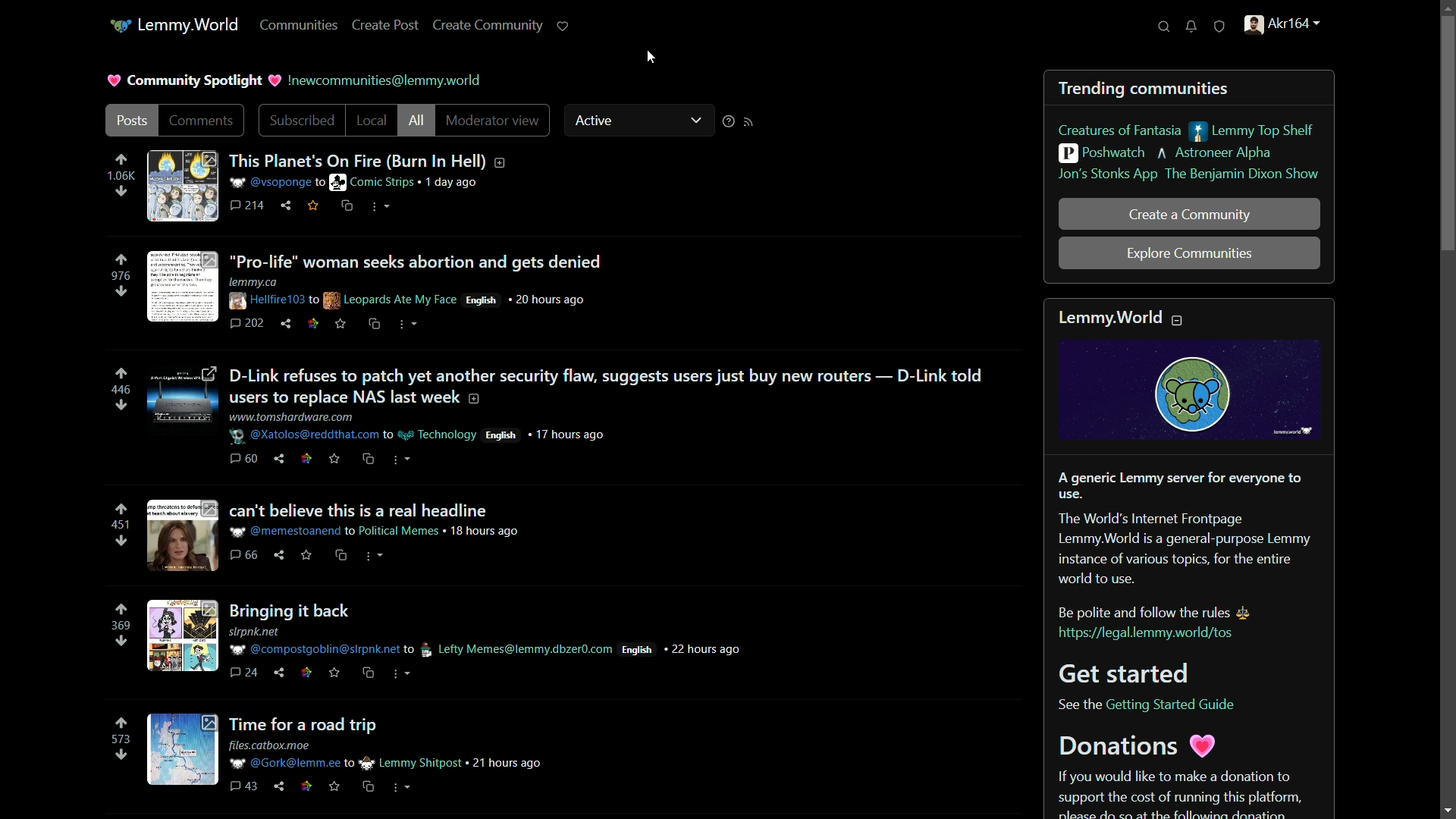  I want to click on downvote, so click(121, 641).